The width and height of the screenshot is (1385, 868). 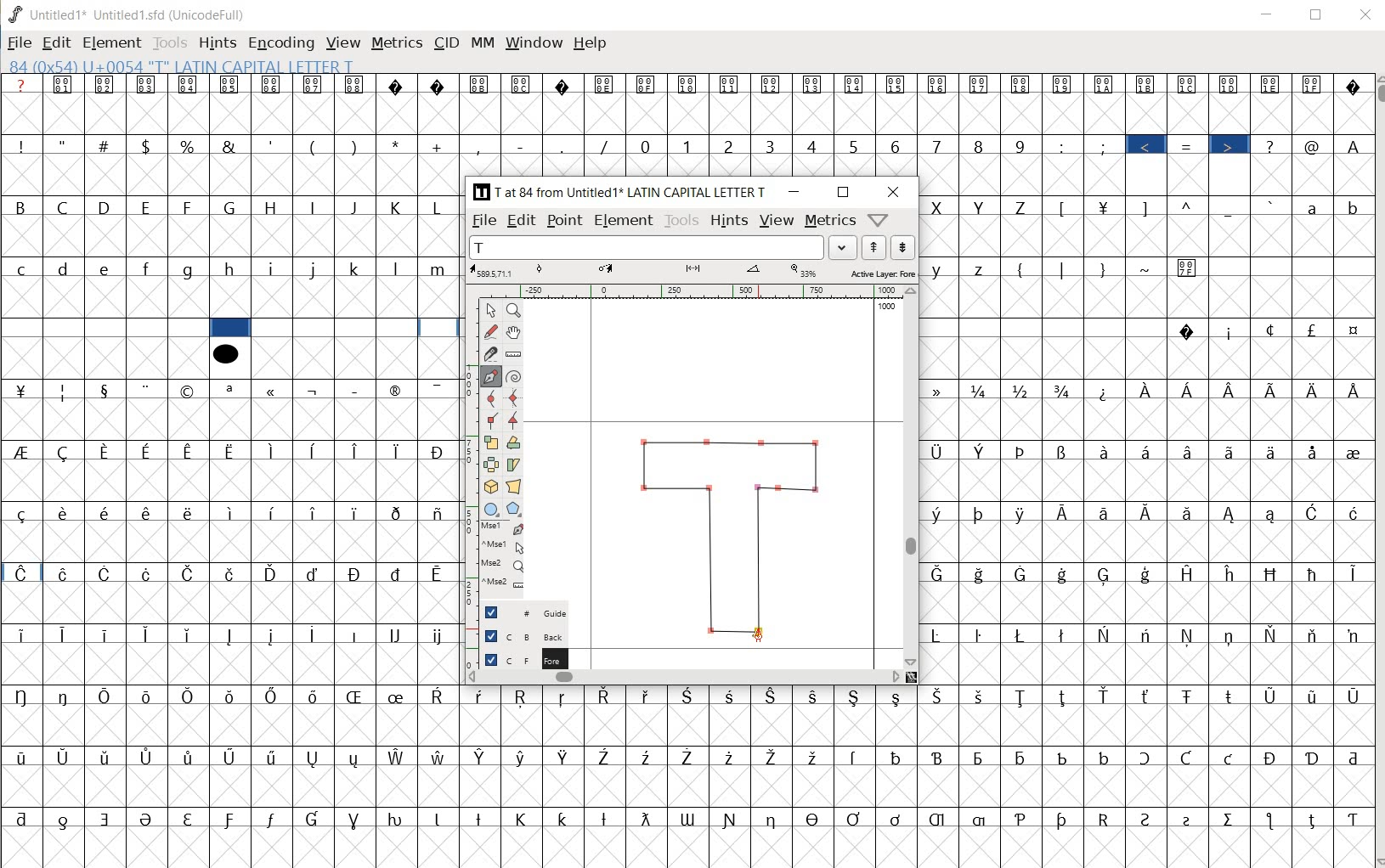 I want to click on maximize, so click(x=1317, y=14).